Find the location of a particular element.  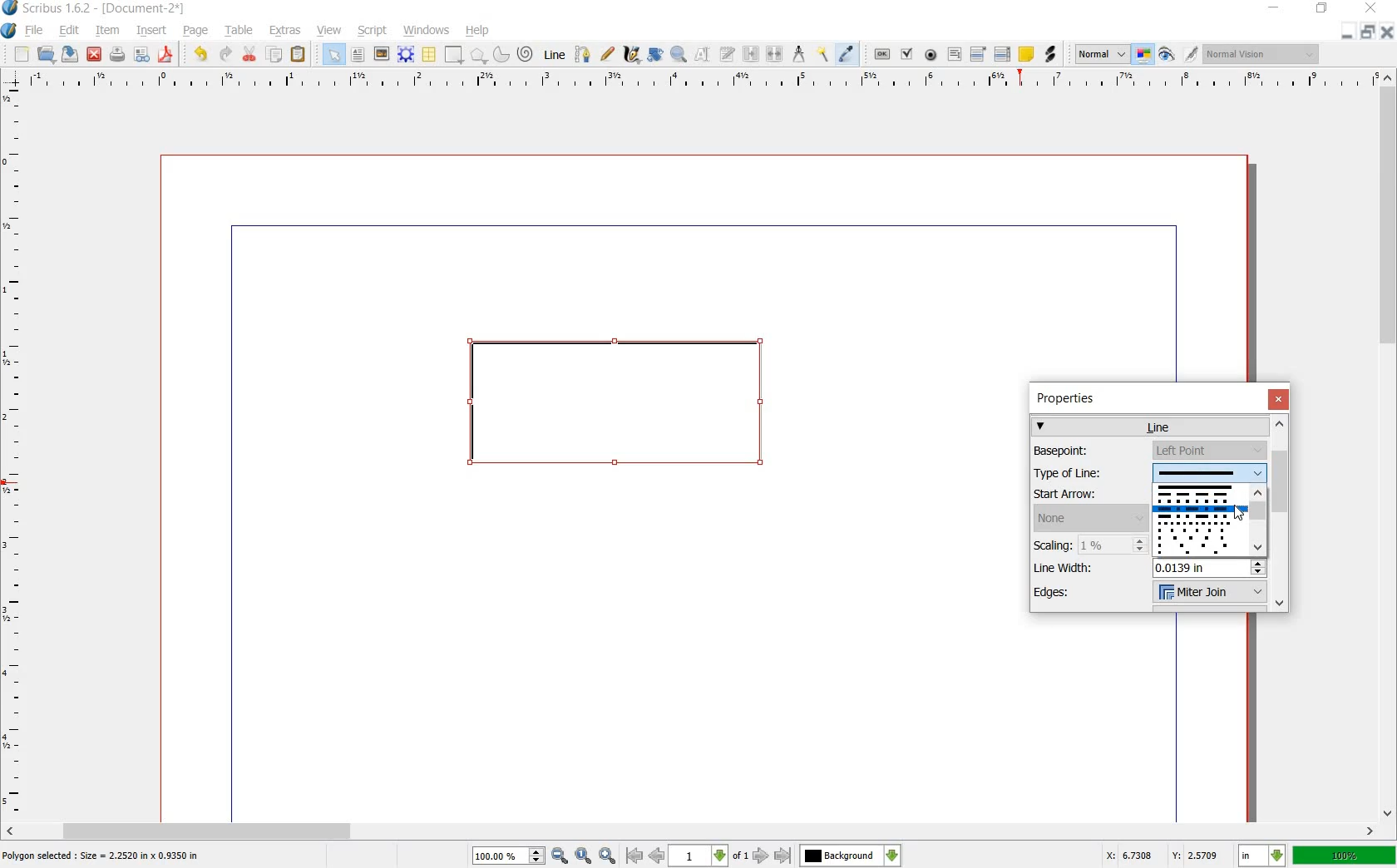

PDF PUSH BUTTON is located at coordinates (879, 54).